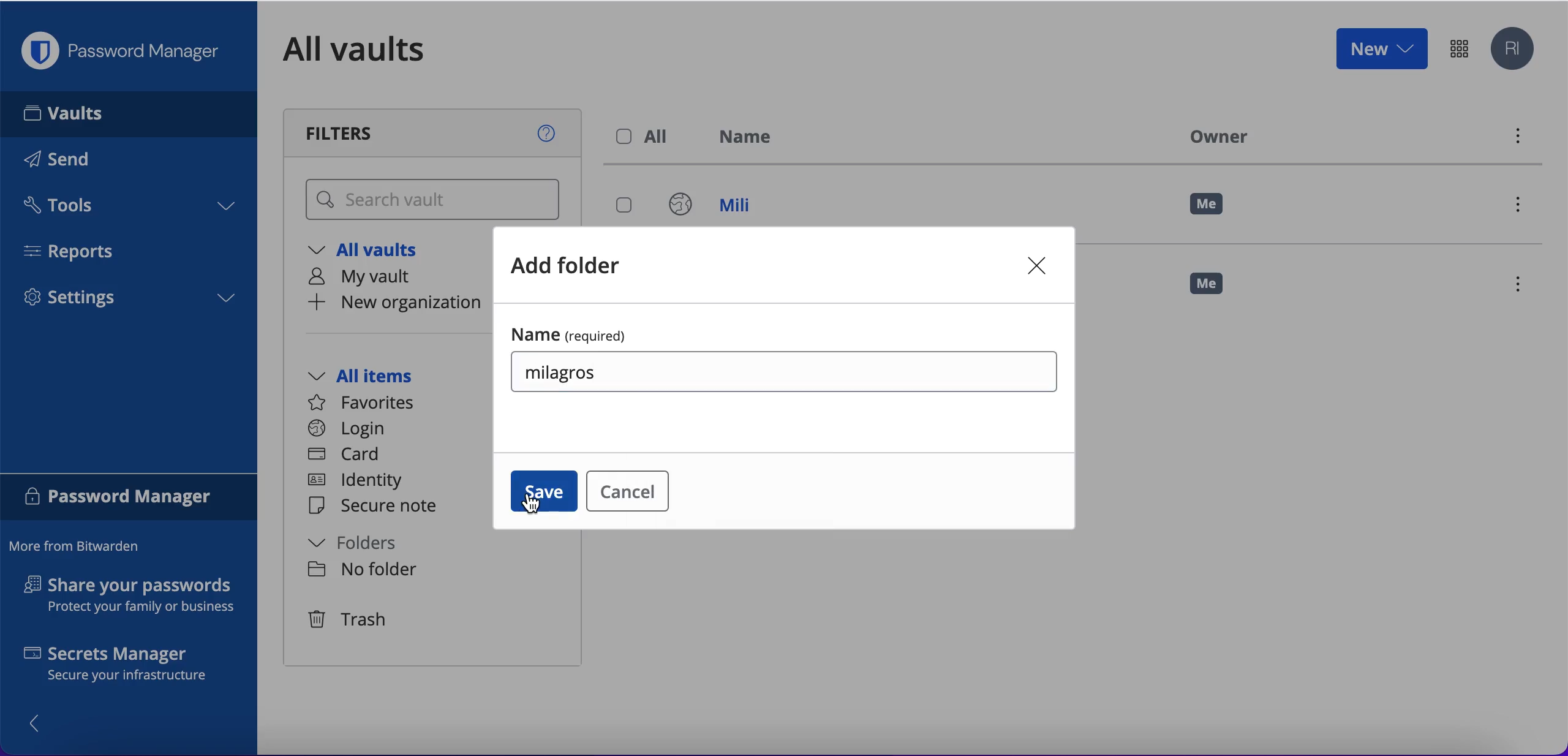  I want to click on close, so click(1039, 264).